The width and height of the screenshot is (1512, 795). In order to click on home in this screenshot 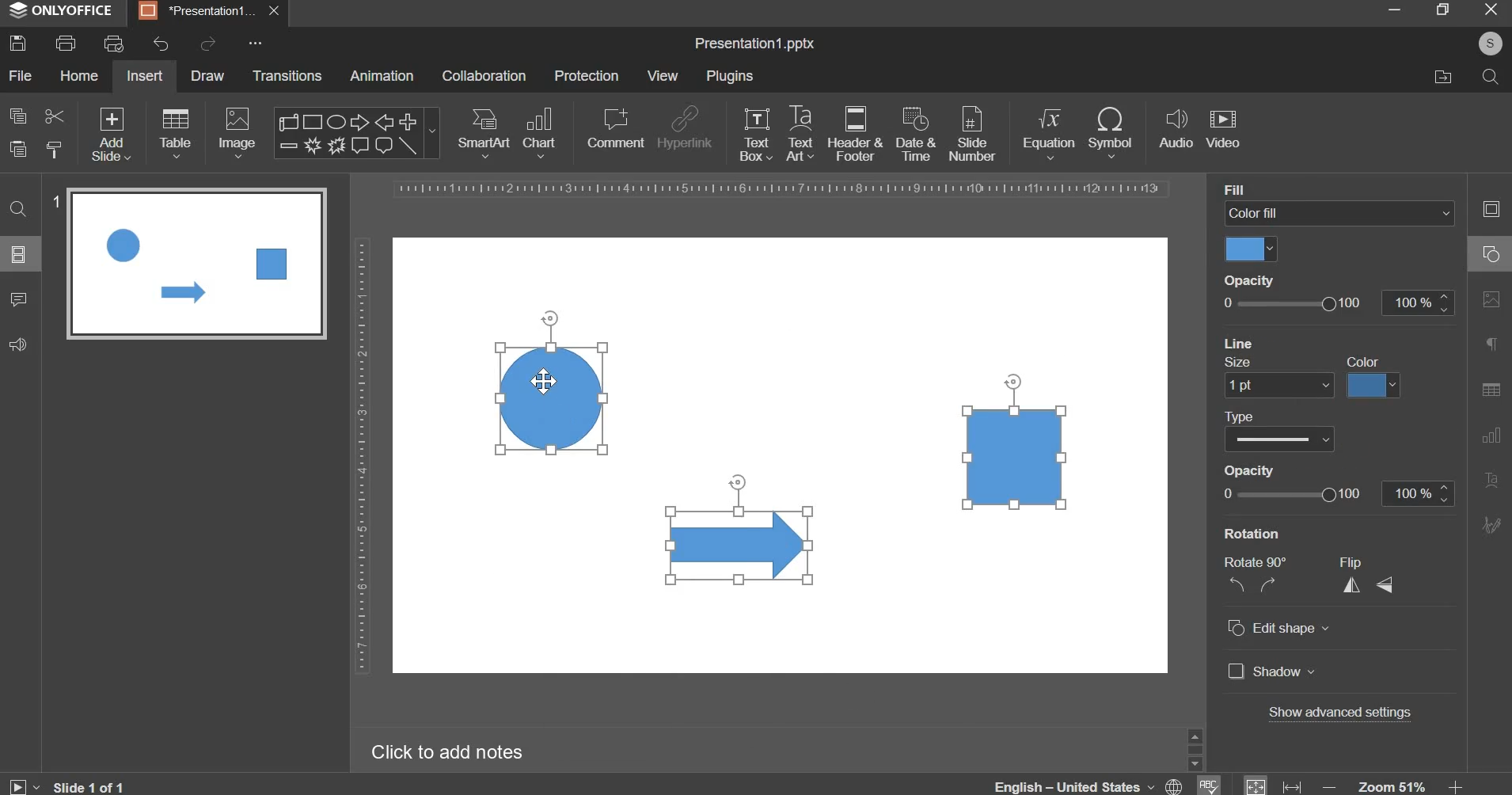, I will do `click(78, 74)`.